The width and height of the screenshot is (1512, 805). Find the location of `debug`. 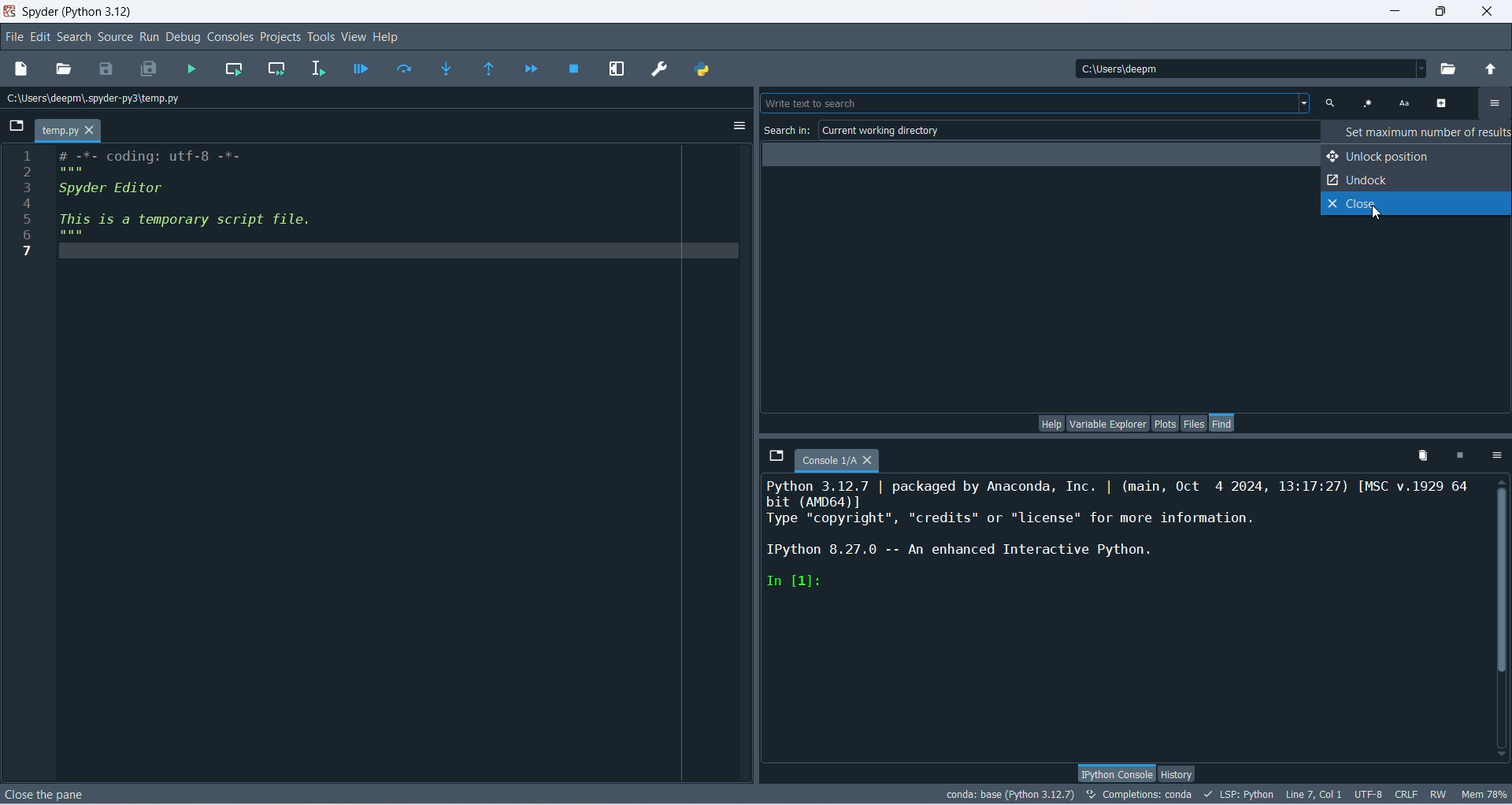

debug is located at coordinates (186, 38).